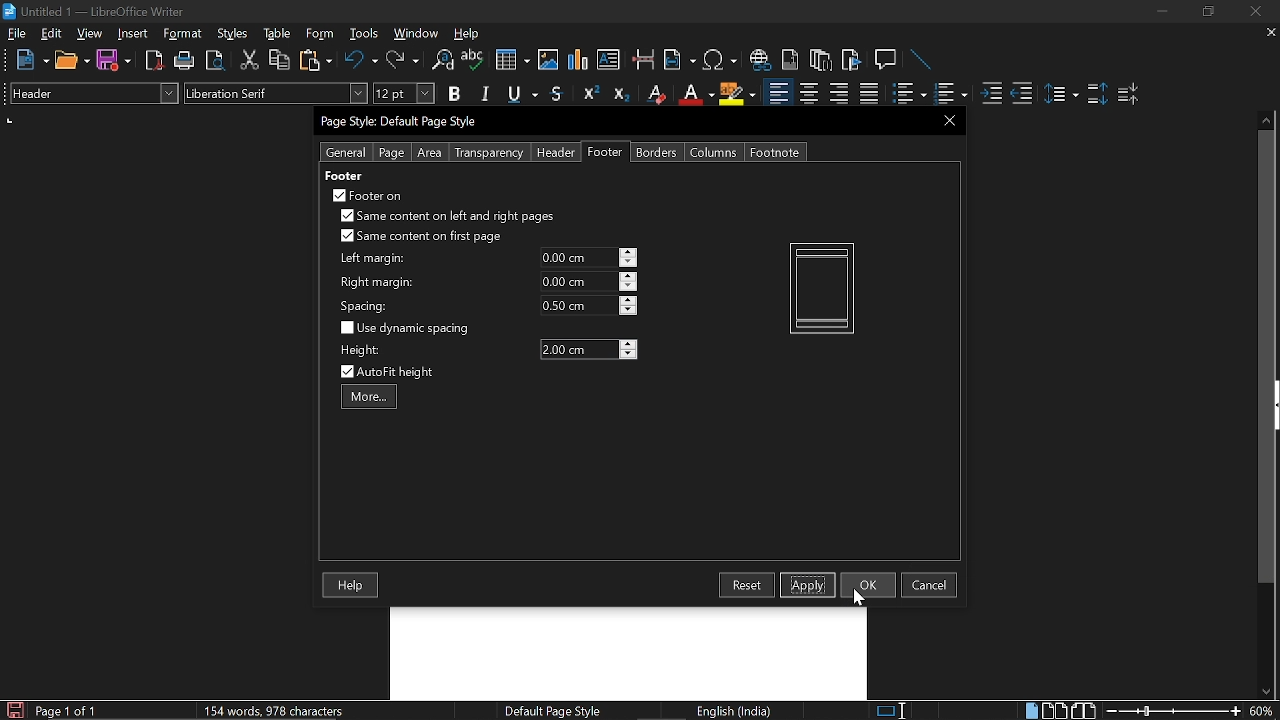  I want to click on line margin Line margin, so click(577, 258).